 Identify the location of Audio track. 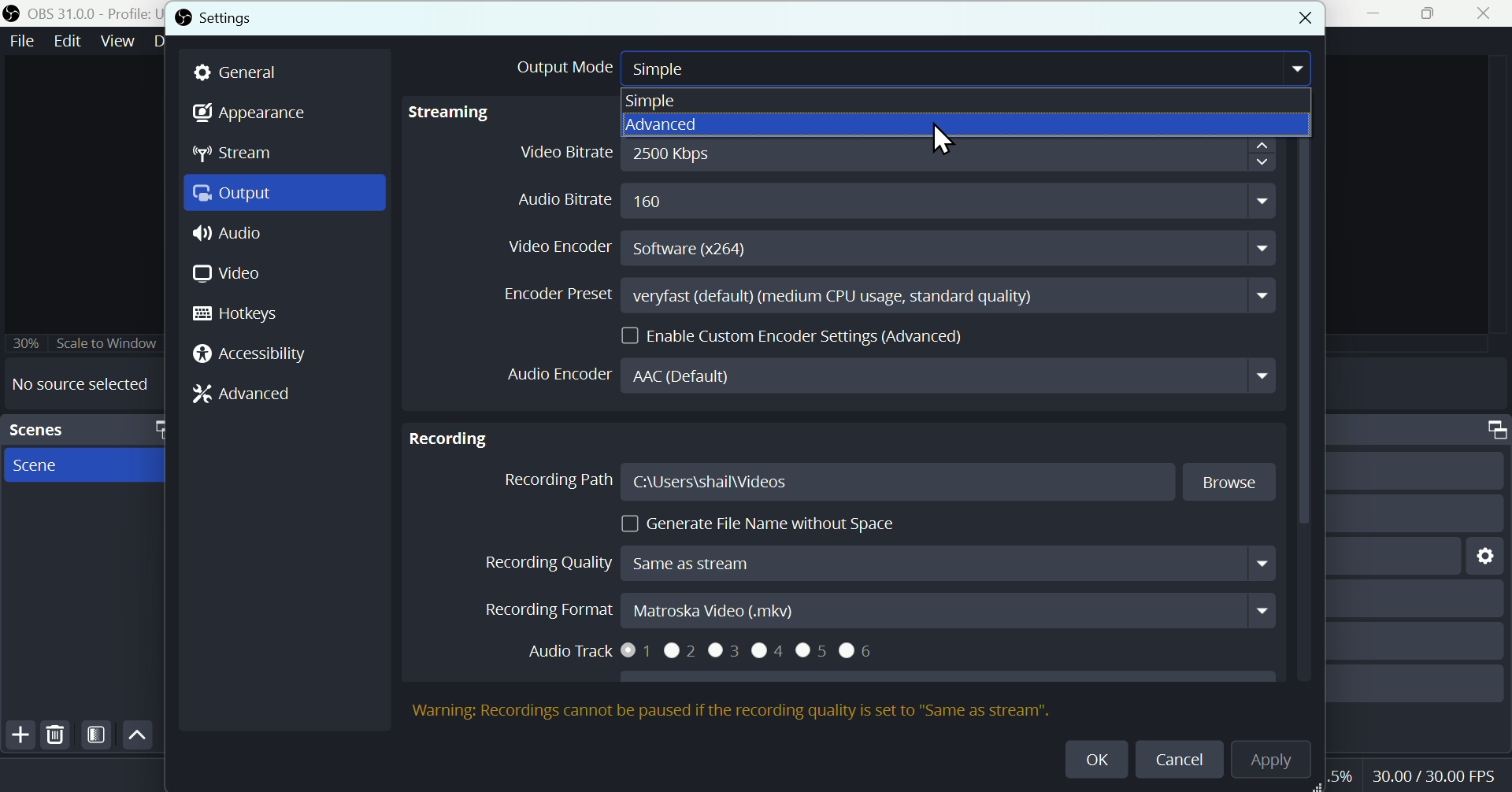
(719, 655).